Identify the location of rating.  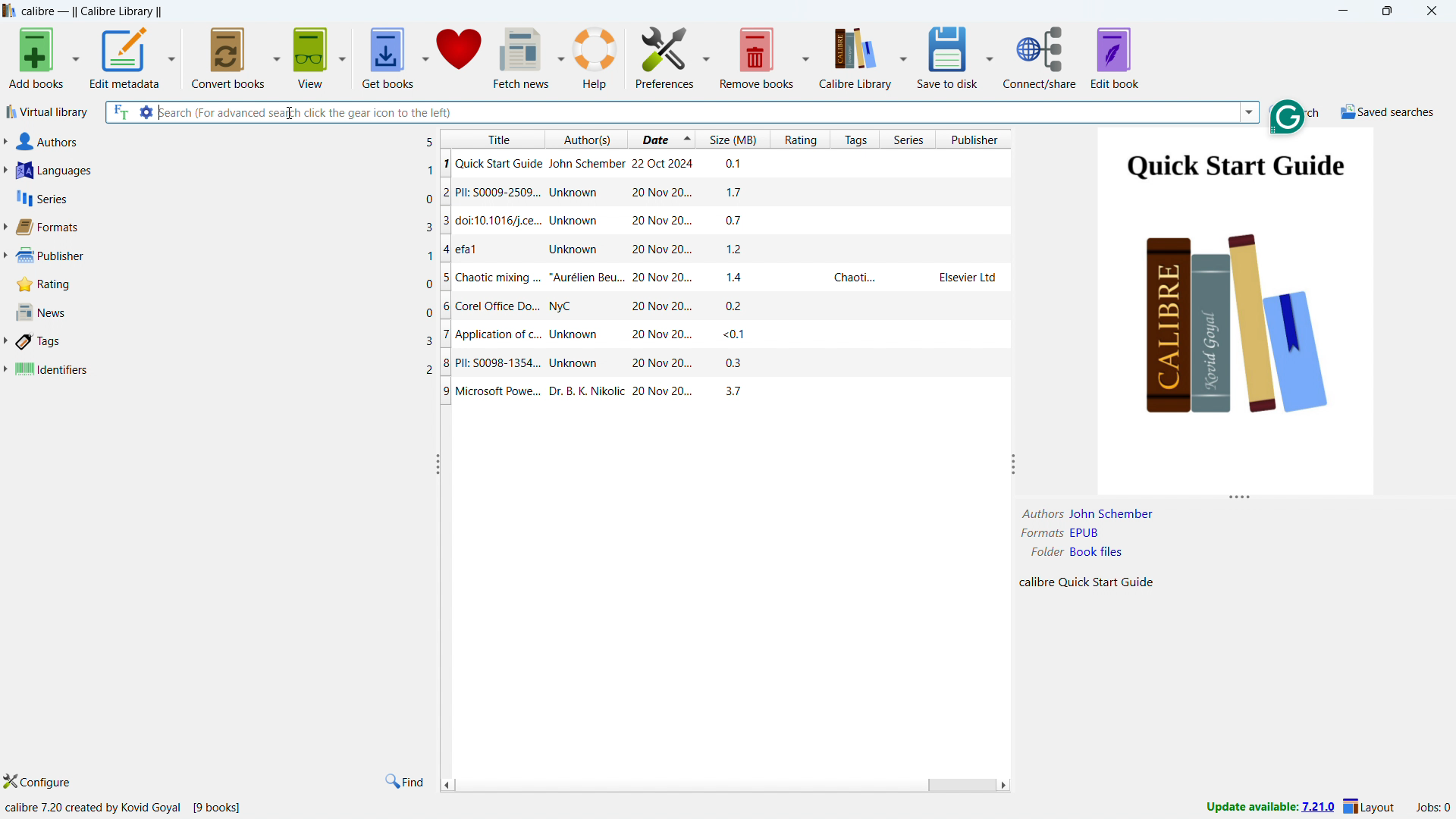
(224, 284).